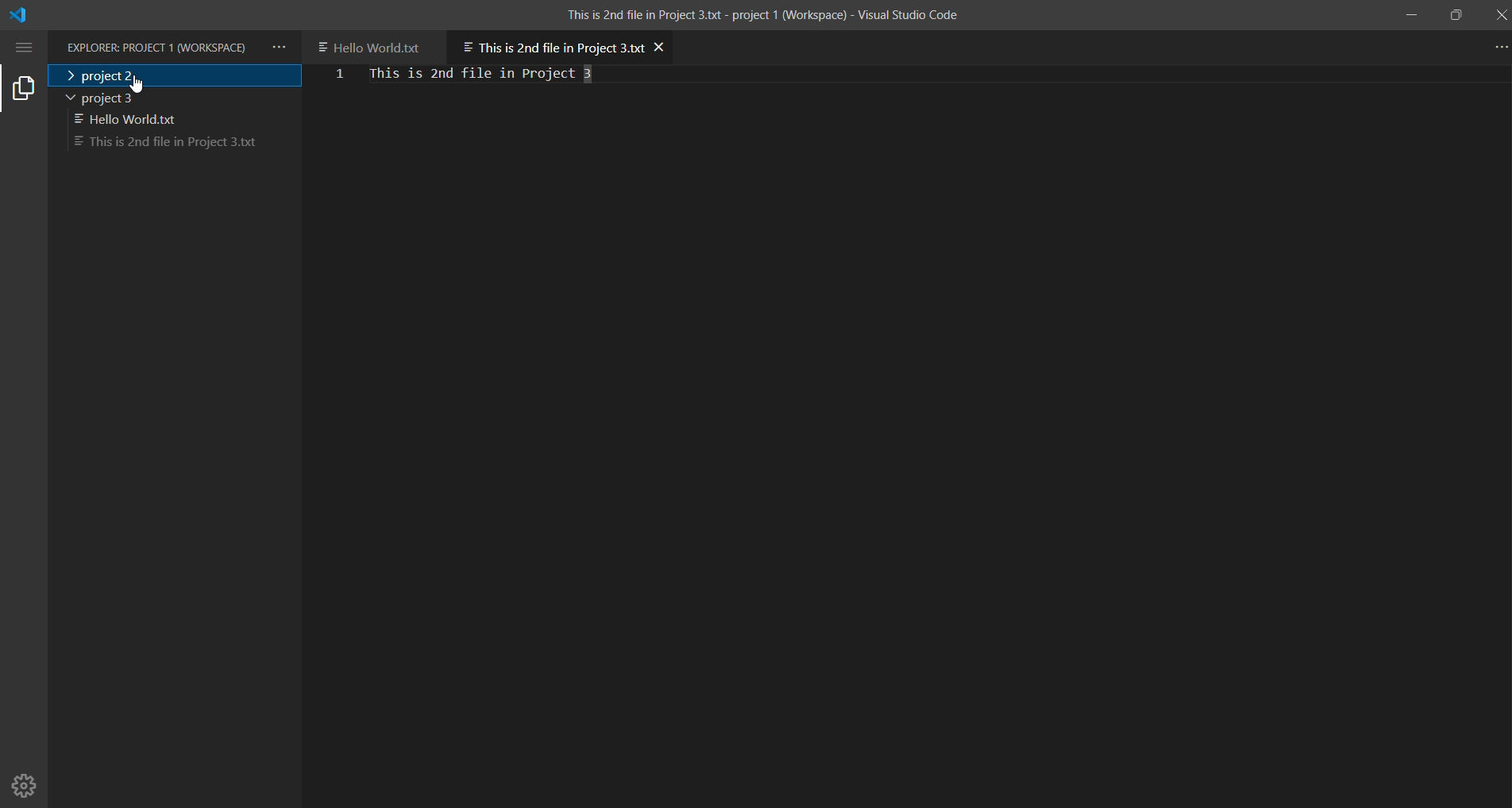  I want to click on title, so click(760, 13).